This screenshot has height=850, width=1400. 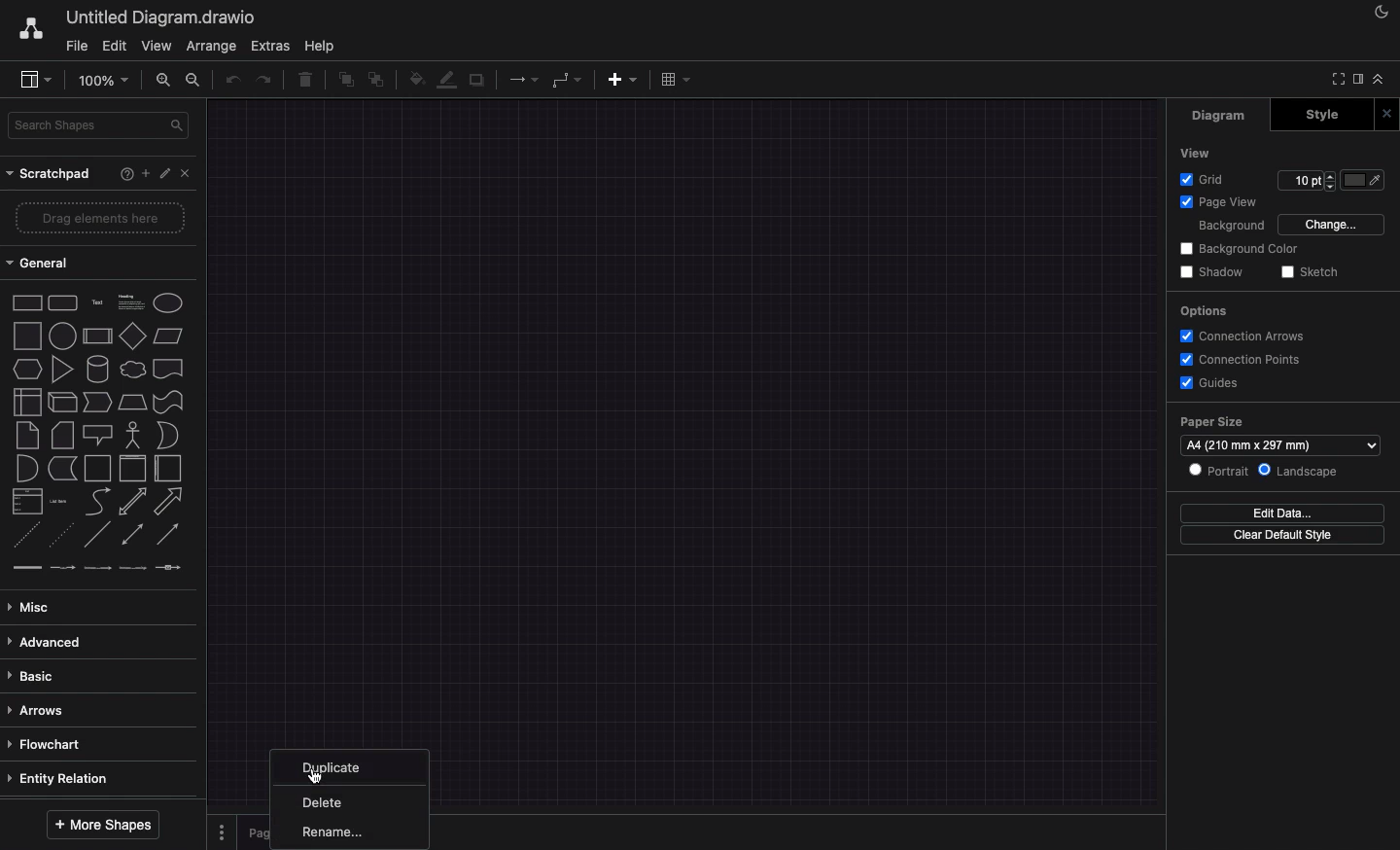 What do you see at coordinates (314, 775) in the screenshot?
I see `click` at bounding box center [314, 775].